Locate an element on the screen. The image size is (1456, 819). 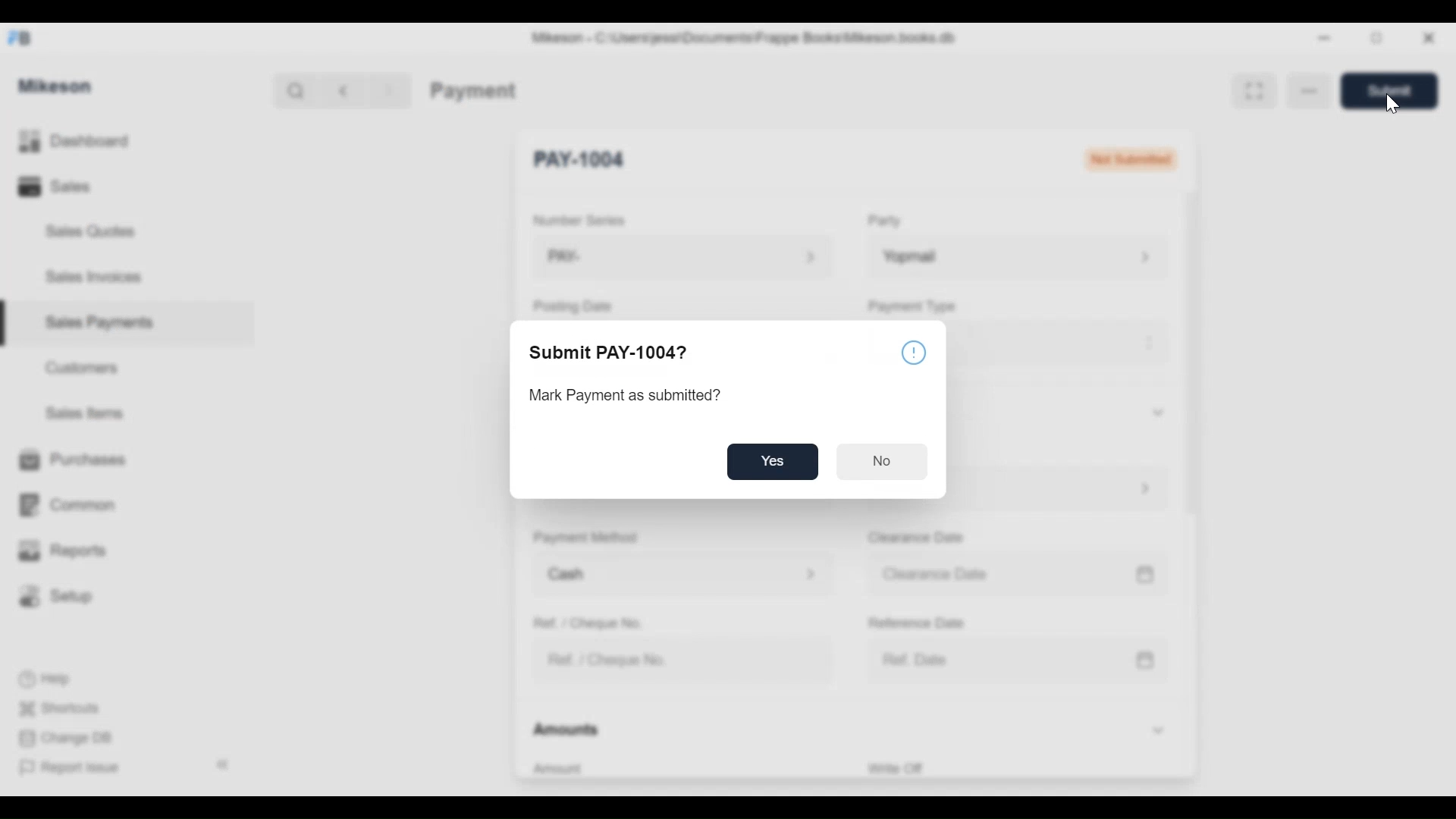
Yes is located at coordinates (778, 463).